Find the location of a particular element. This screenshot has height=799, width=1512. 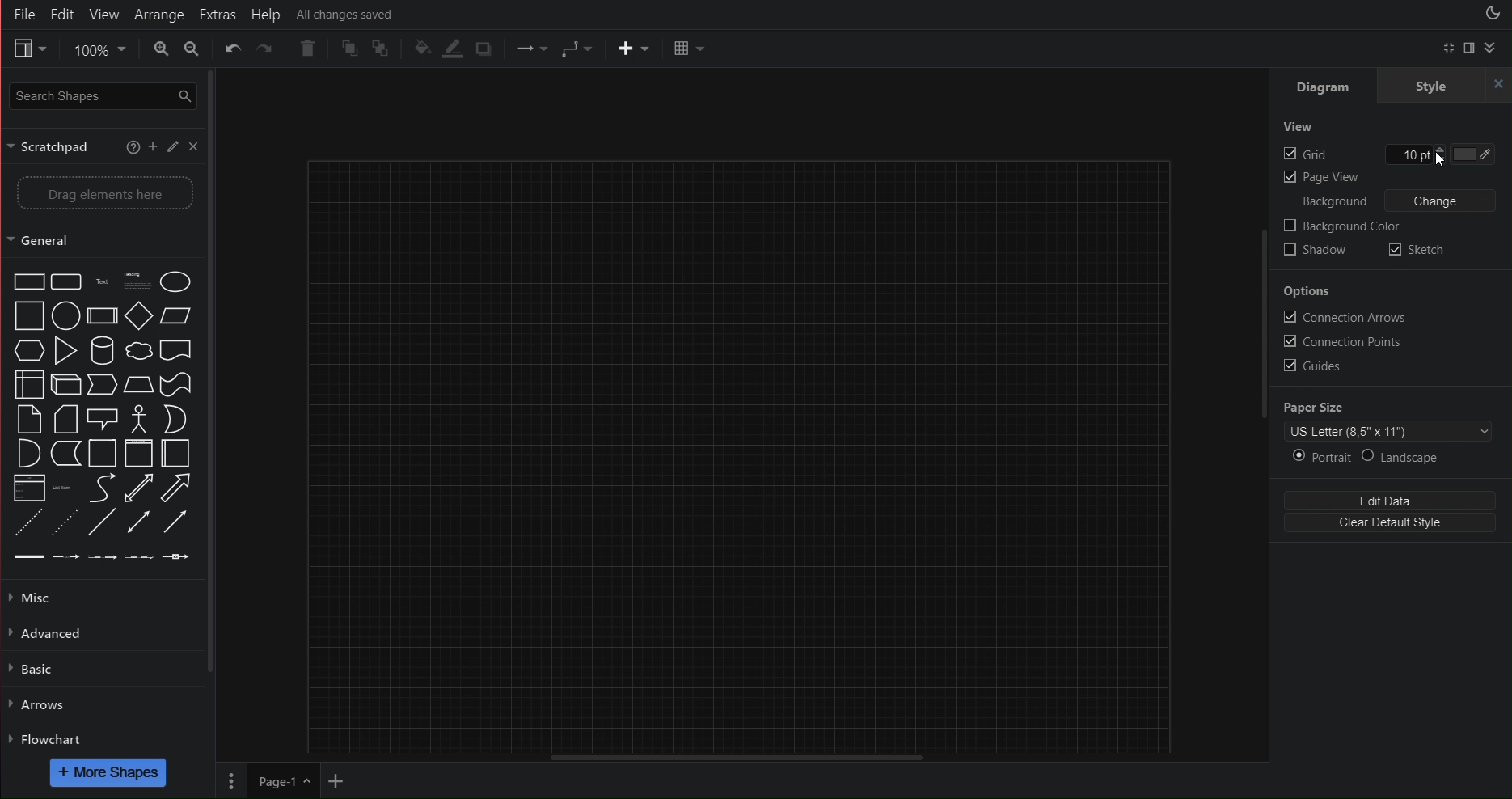

Grid Color is located at coordinates (1480, 155).